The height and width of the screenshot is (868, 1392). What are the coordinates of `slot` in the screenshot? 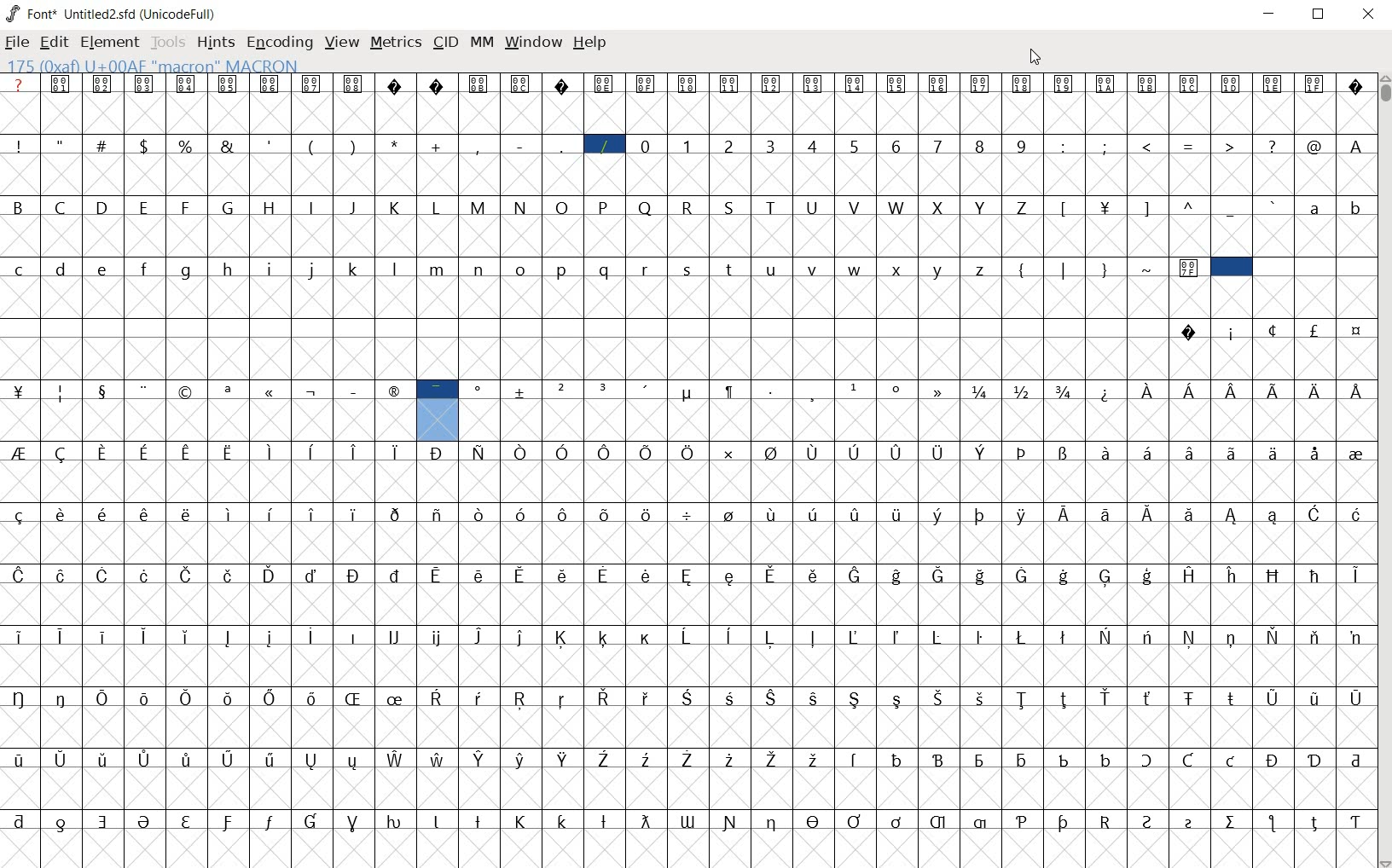 It's located at (1290, 289).